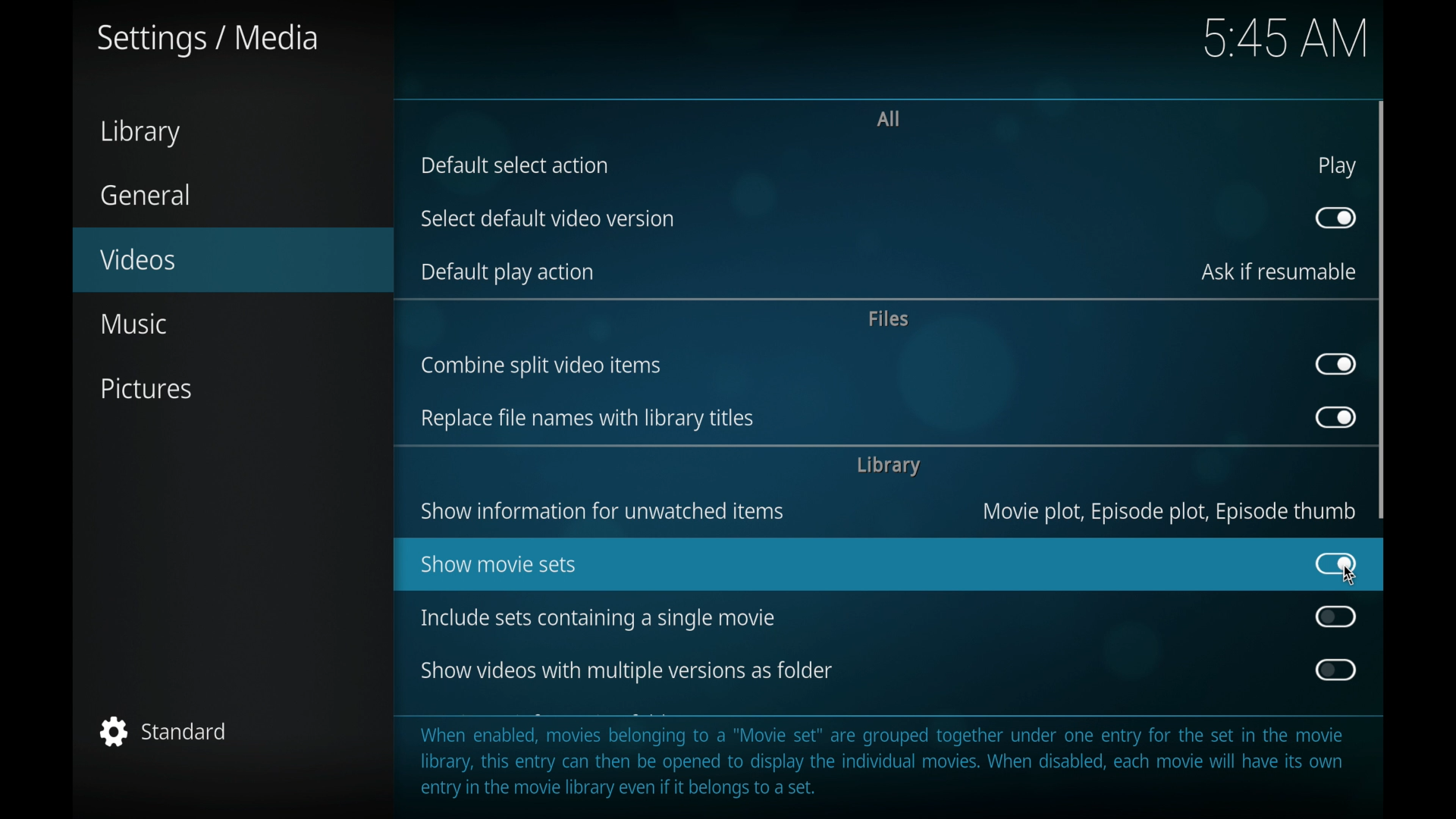 The height and width of the screenshot is (819, 1456). Describe the element at coordinates (1335, 218) in the screenshot. I see `toggle  button` at that location.